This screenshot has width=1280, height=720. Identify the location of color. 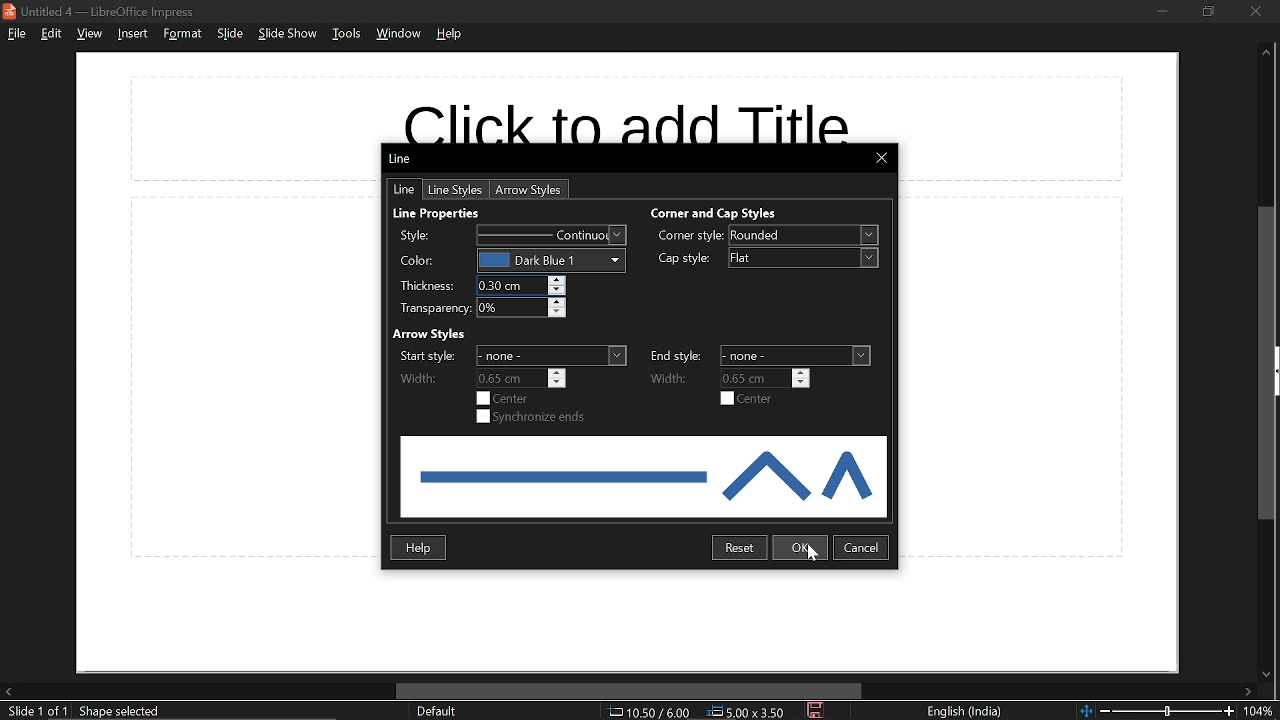
(550, 260).